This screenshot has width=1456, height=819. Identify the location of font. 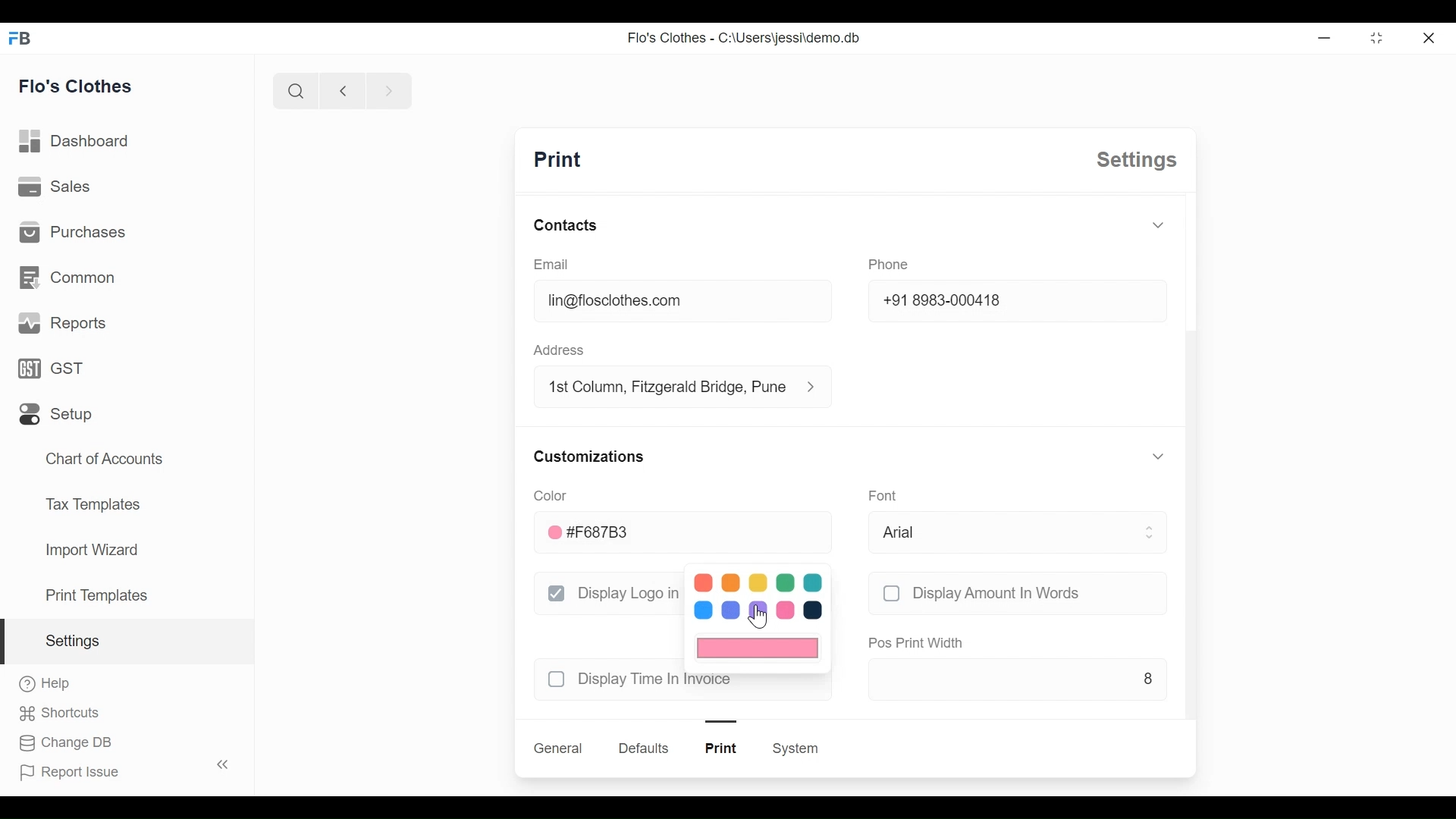
(883, 494).